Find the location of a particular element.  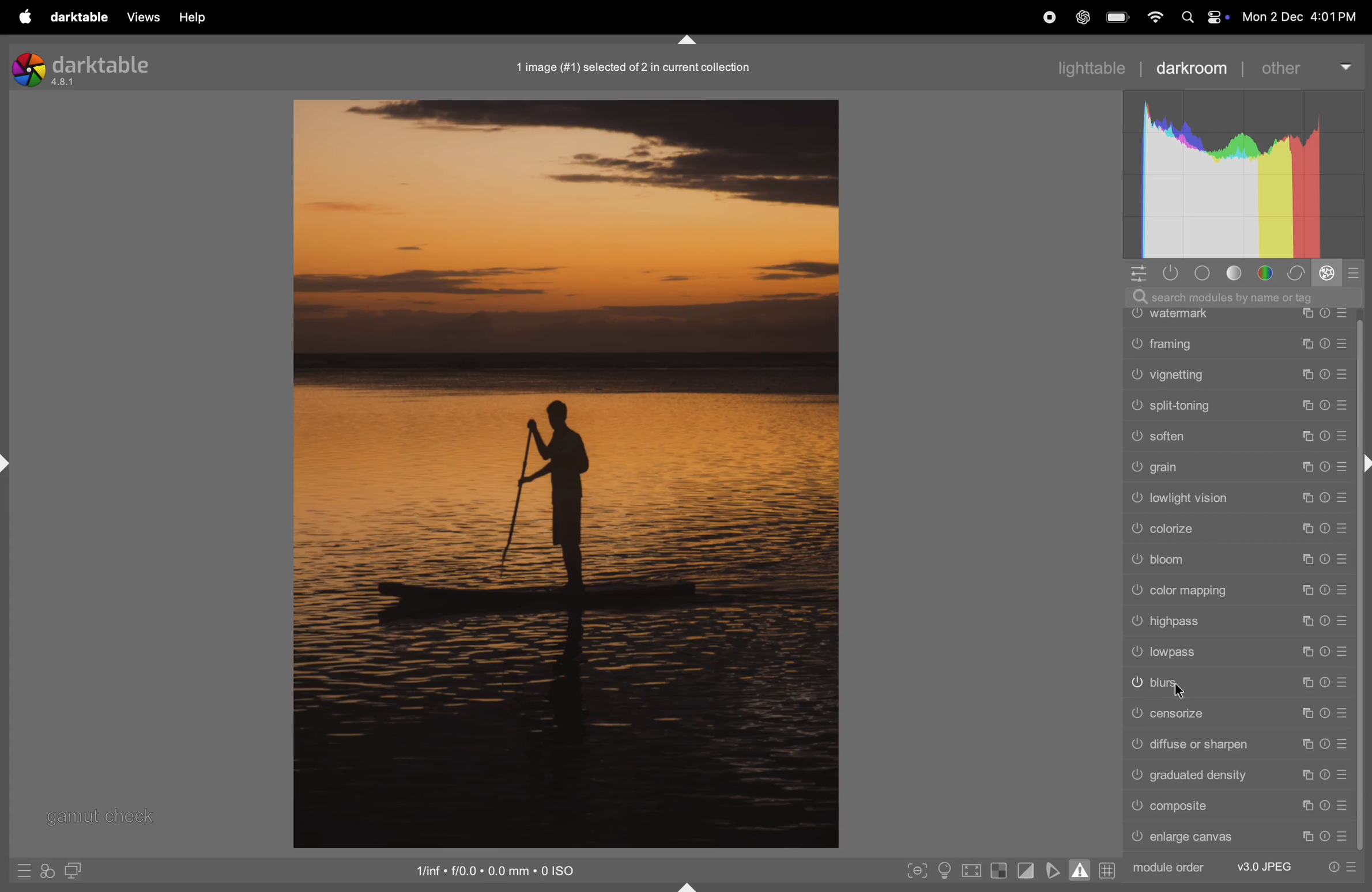

module order is located at coordinates (1167, 868).